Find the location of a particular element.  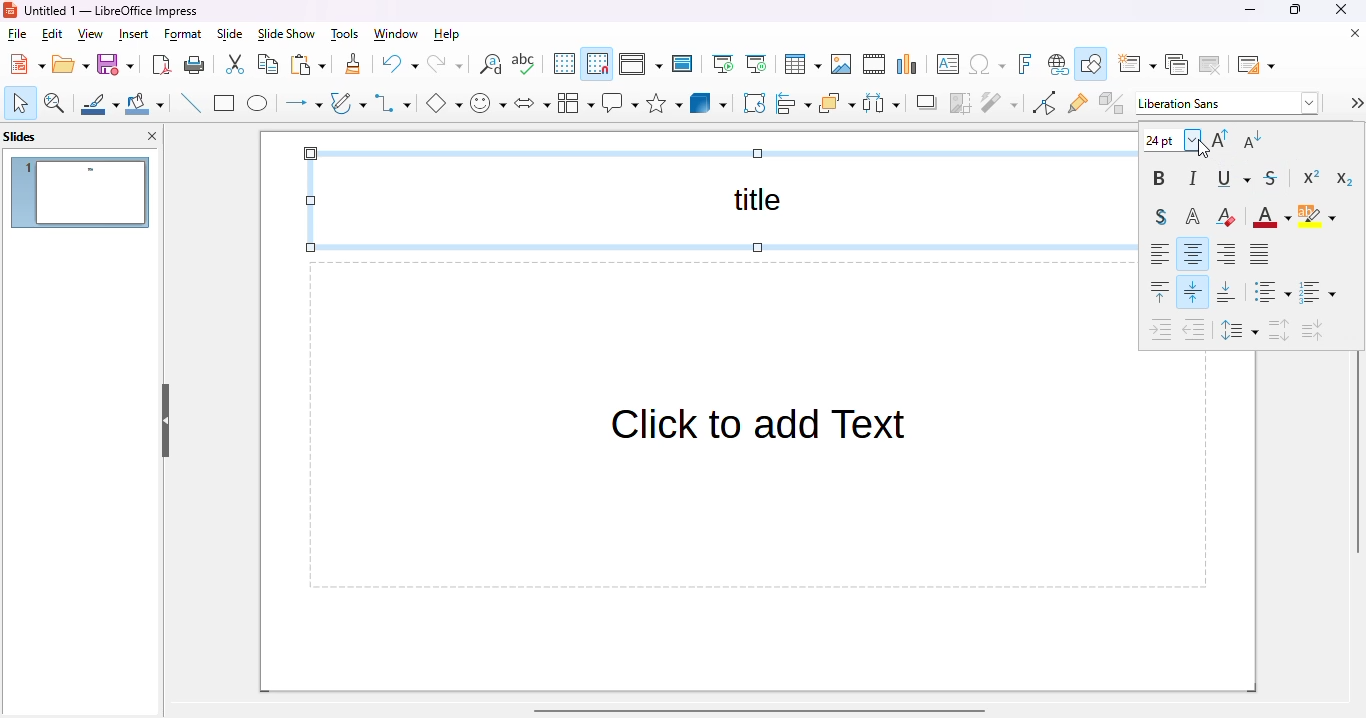

clear direct formatting is located at coordinates (1226, 216).